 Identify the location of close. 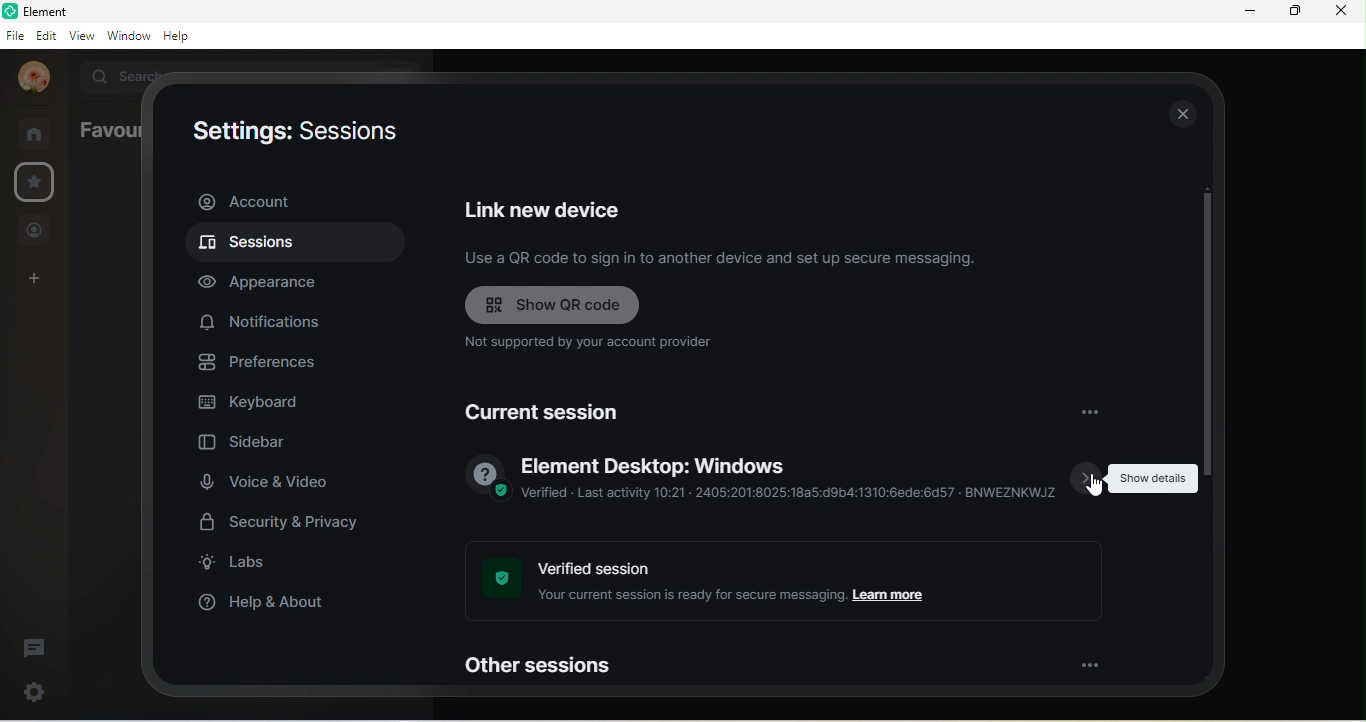
(1181, 113).